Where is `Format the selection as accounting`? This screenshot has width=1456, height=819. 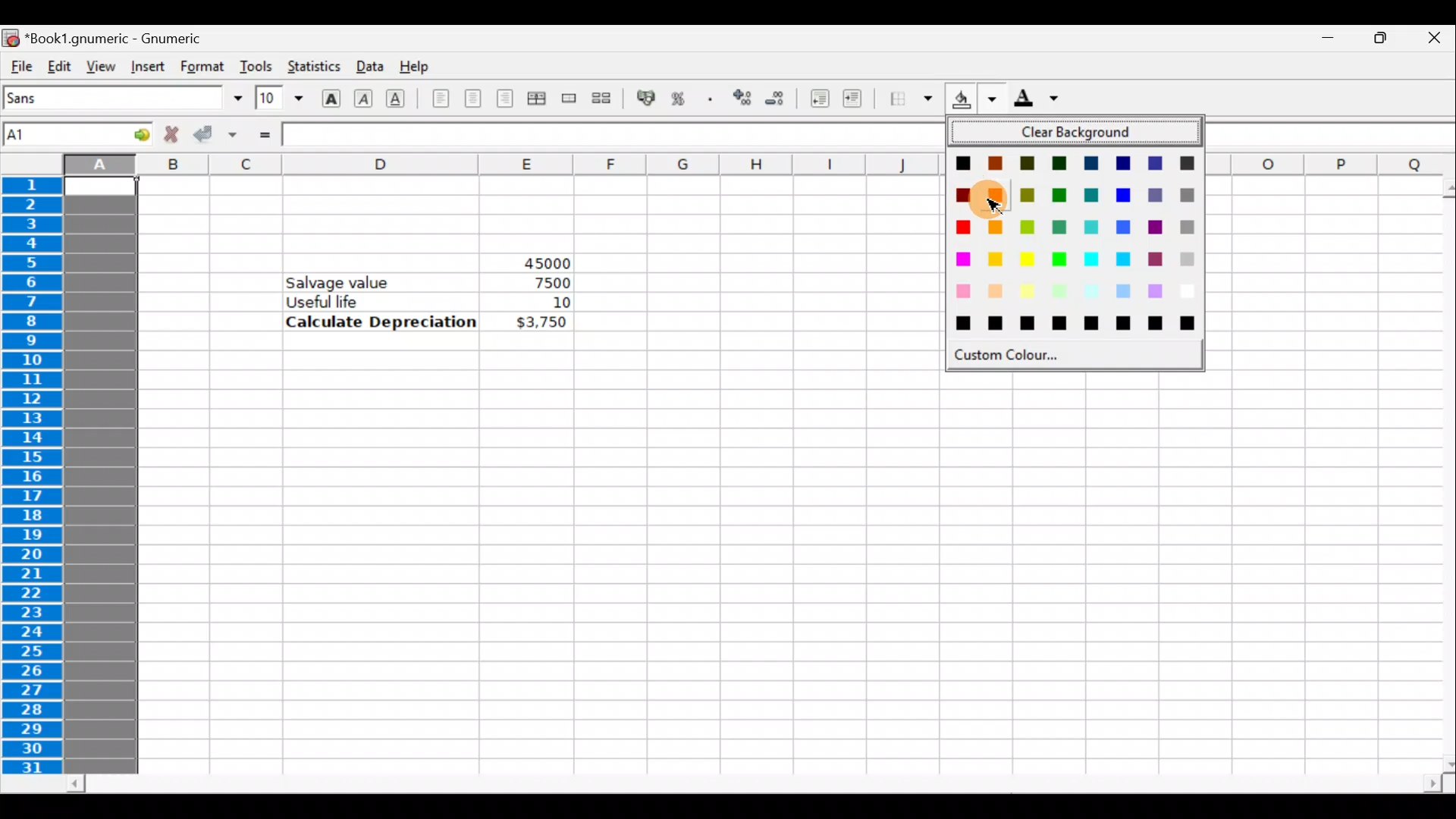
Format the selection as accounting is located at coordinates (647, 100).